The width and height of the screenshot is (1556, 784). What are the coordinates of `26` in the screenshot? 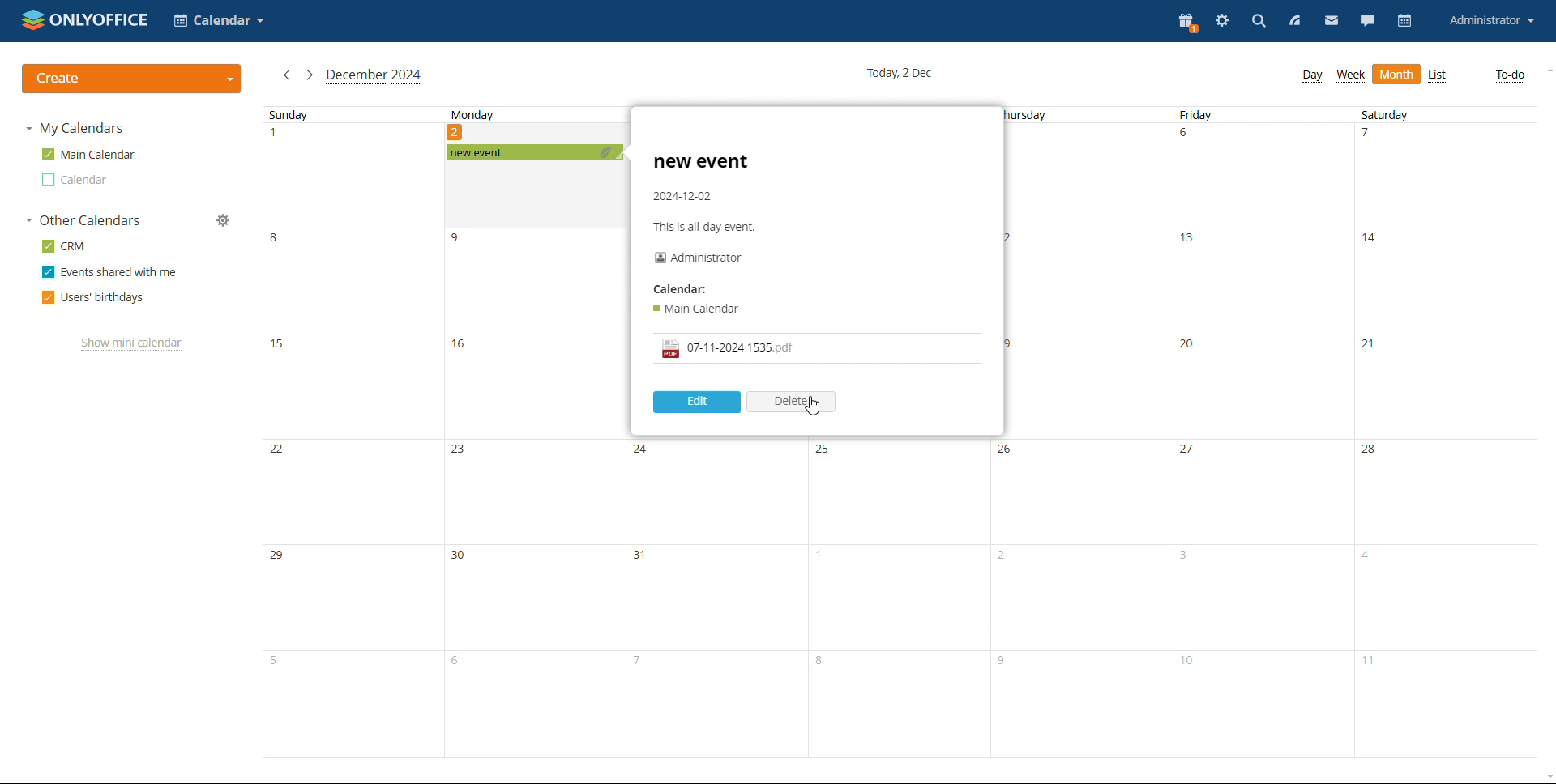 It's located at (1008, 452).